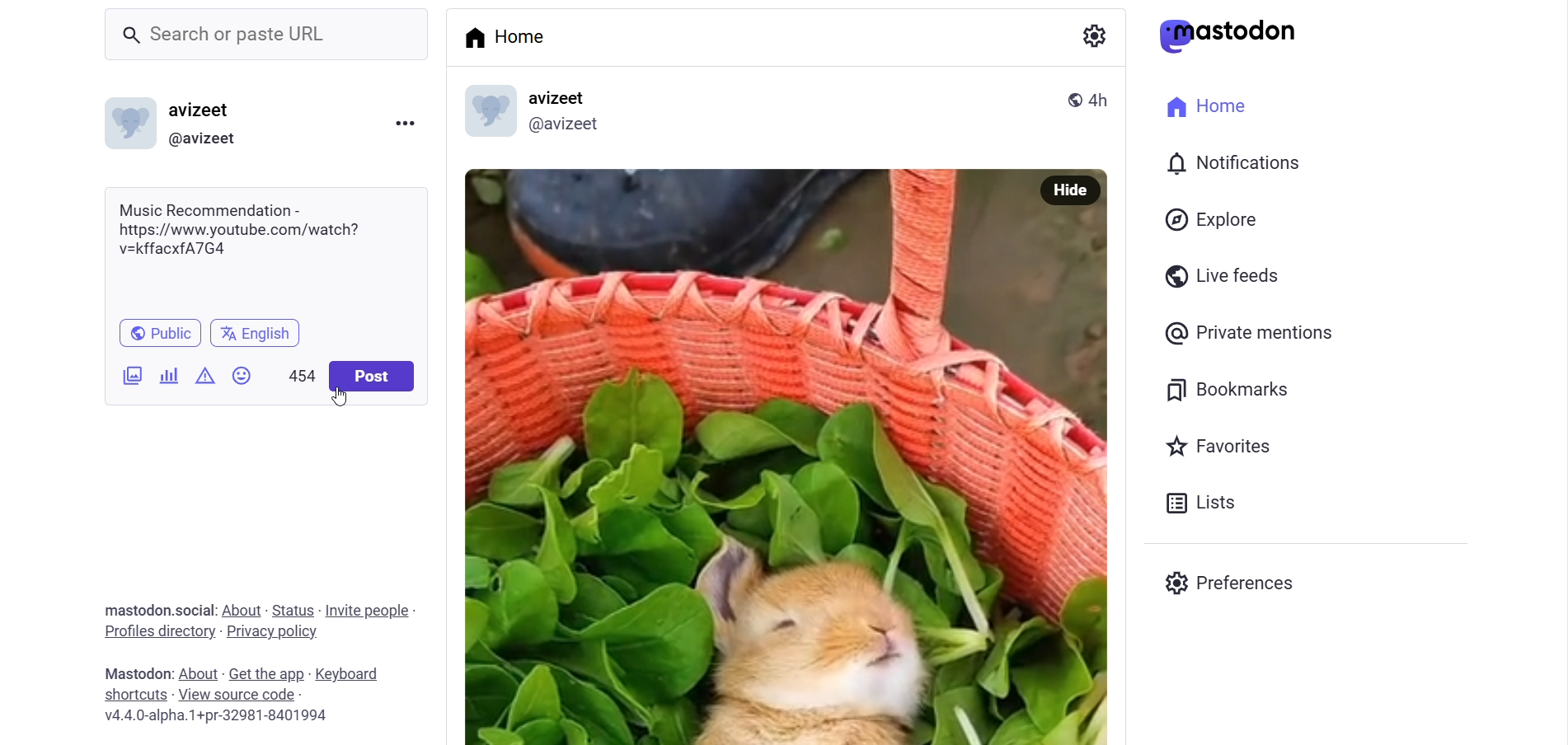 The height and width of the screenshot is (745, 1568). I want to click on Notification, so click(1235, 160).